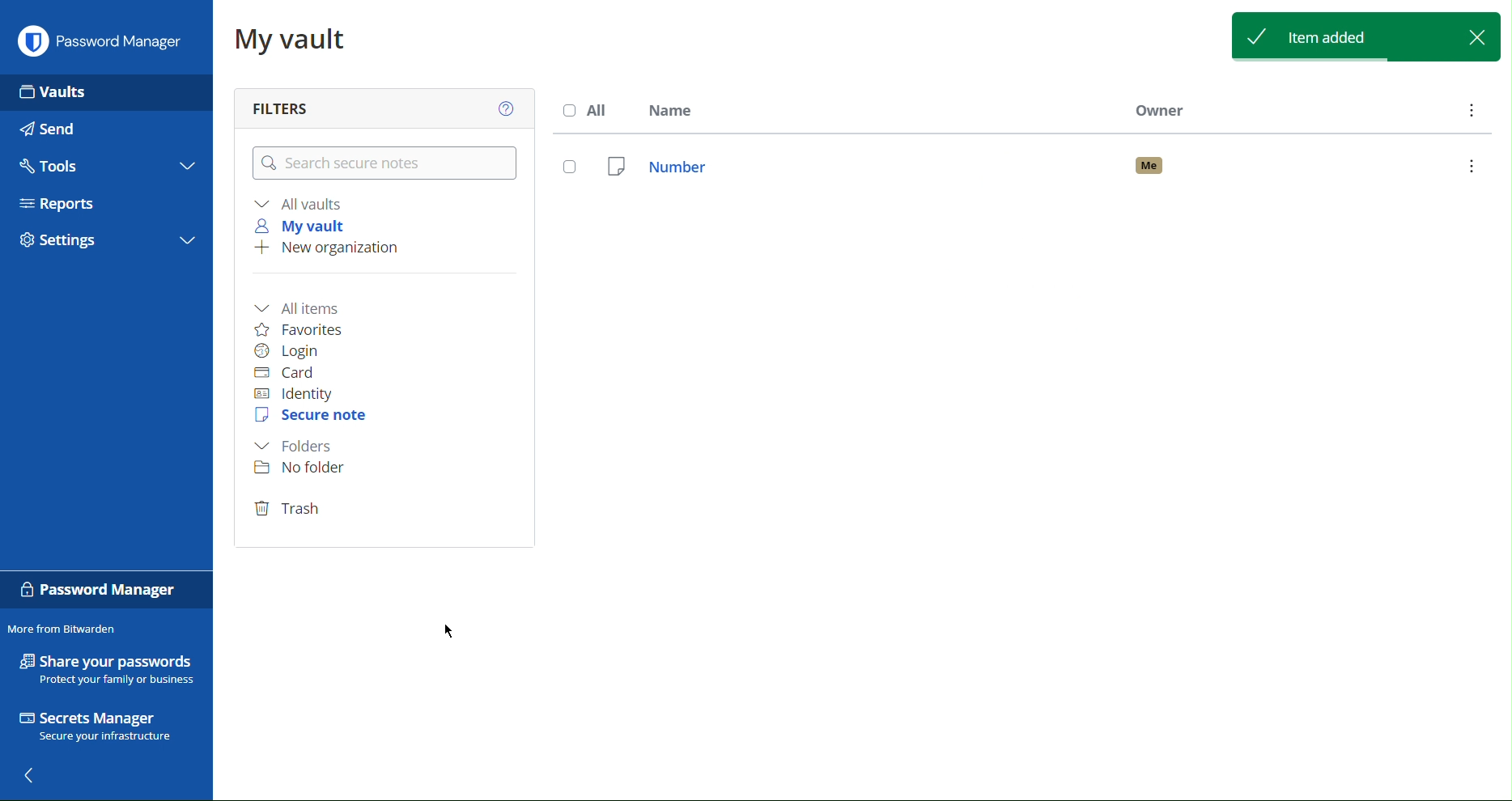 The image size is (1512, 801). What do you see at coordinates (291, 507) in the screenshot?
I see `Trash` at bounding box center [291, 507].